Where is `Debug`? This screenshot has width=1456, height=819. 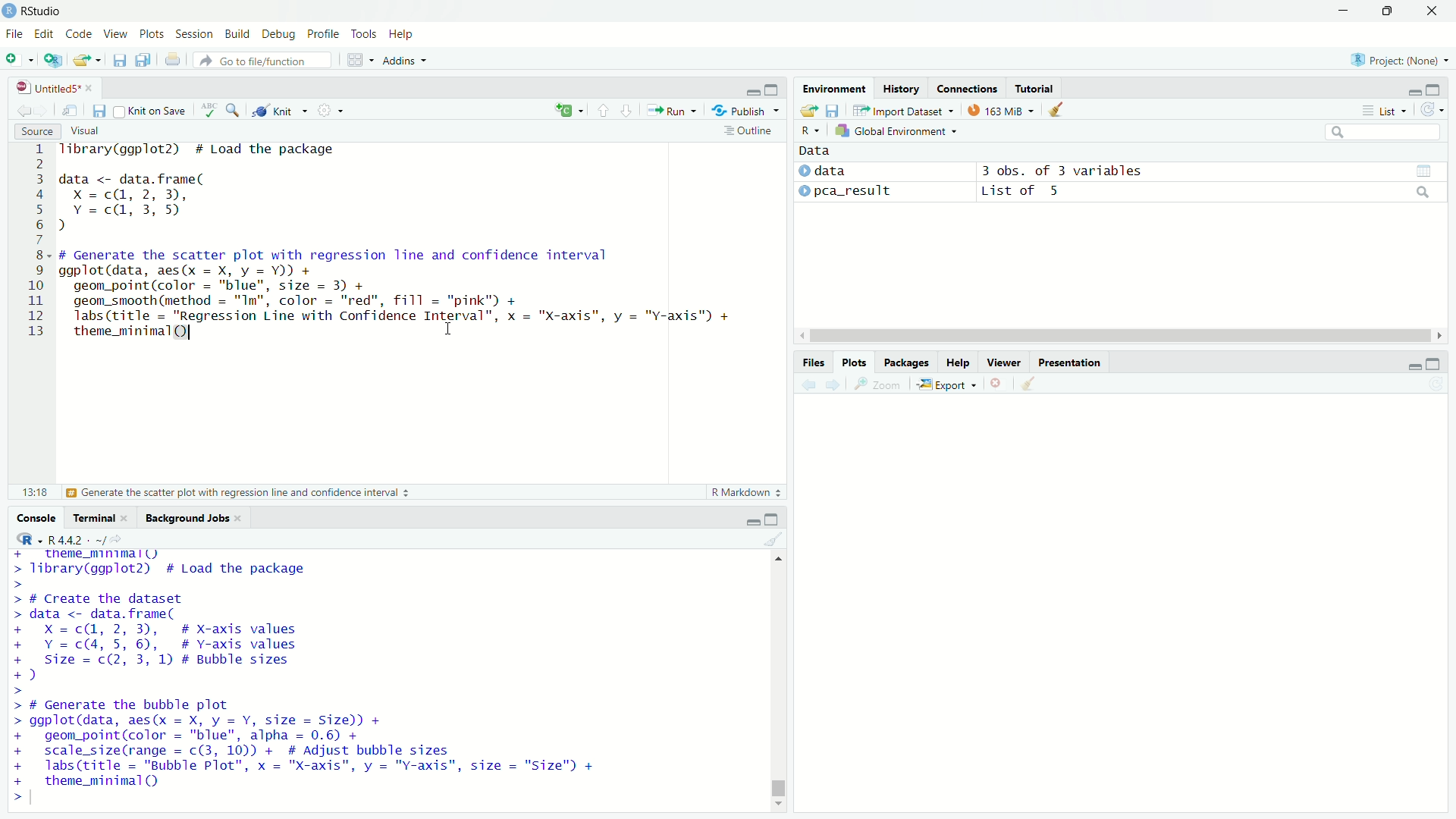
Debug is located at coordinates (278, 34).